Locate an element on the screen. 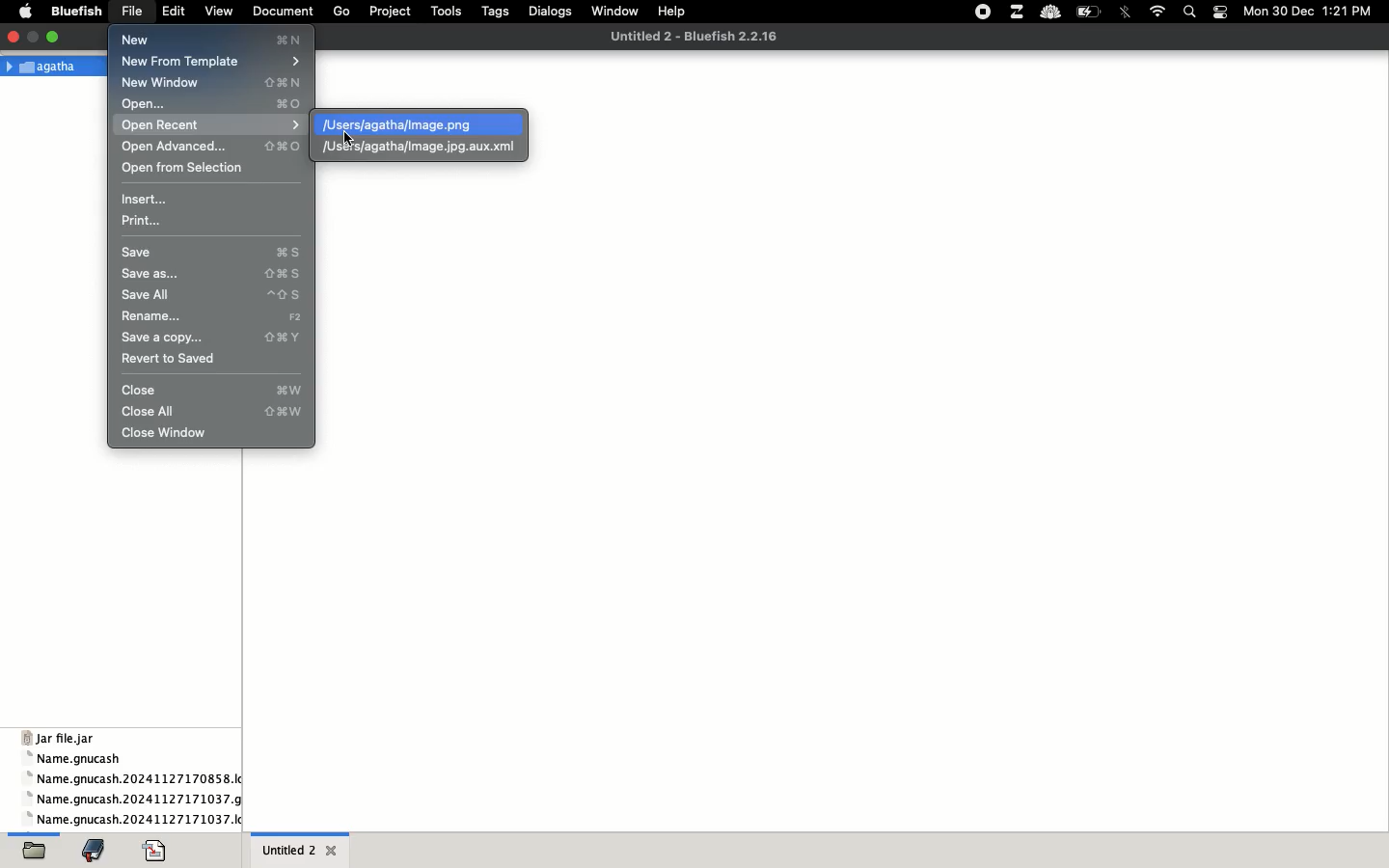 This screenshot has height=868, width=1389. click is located at coordinates (347, 140).